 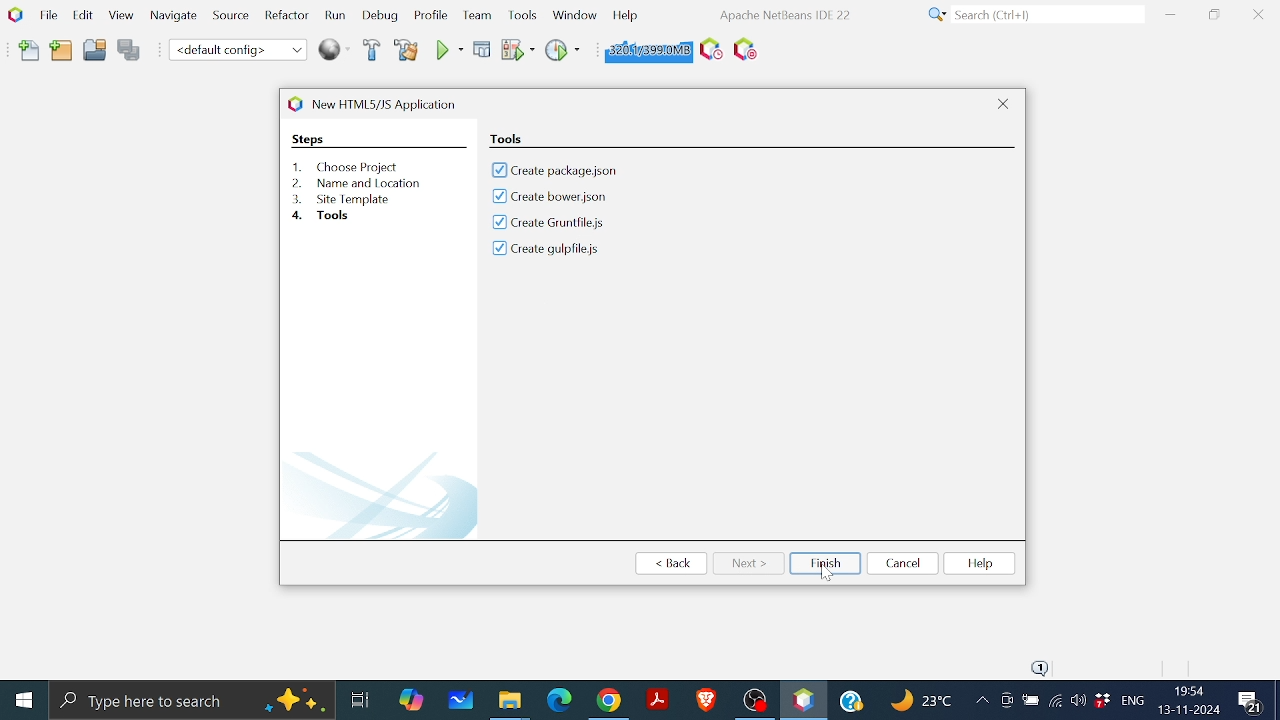 I want to click on Search, so click(x=1032, y=15).